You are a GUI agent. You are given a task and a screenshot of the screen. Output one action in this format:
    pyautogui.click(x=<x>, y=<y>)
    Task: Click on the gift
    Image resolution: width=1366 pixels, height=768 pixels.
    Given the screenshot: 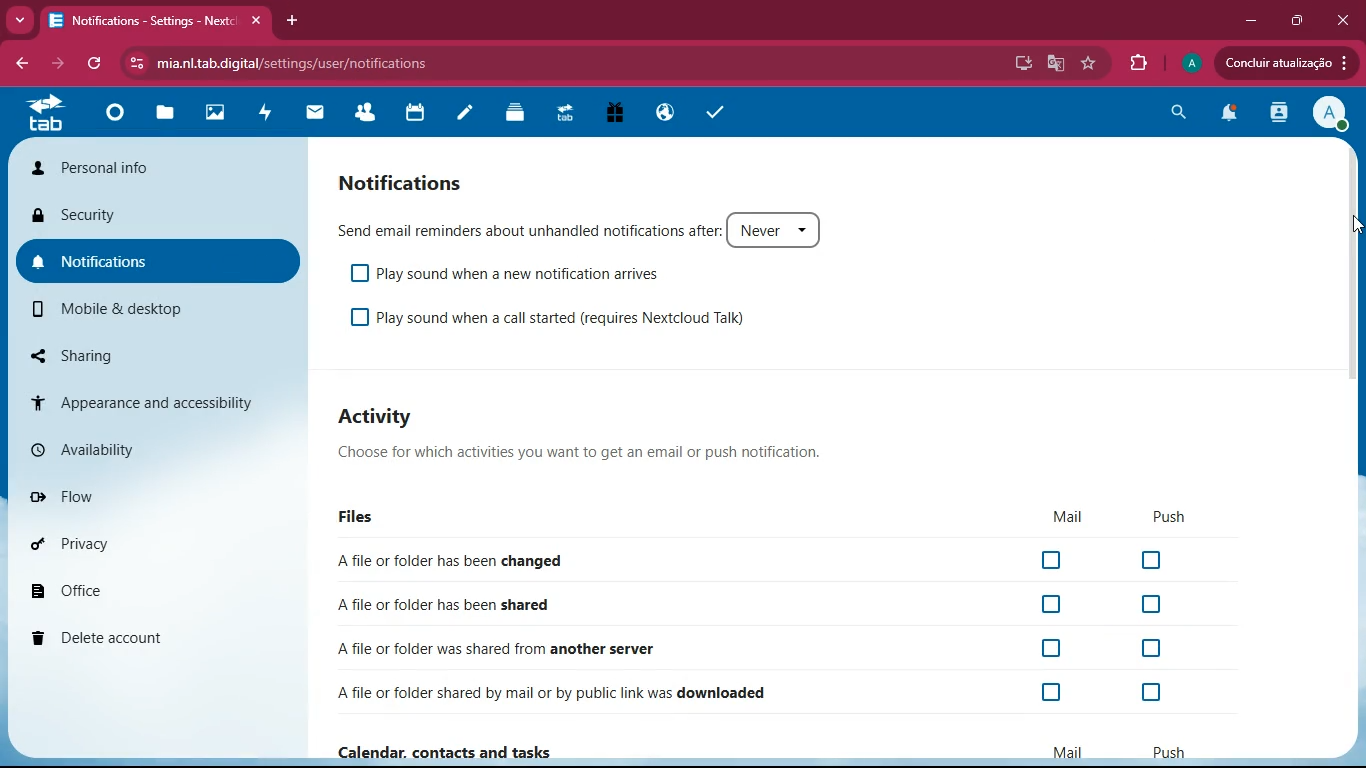 What is the action you would take?
    pyautogui.click(x=617, y=114)
    